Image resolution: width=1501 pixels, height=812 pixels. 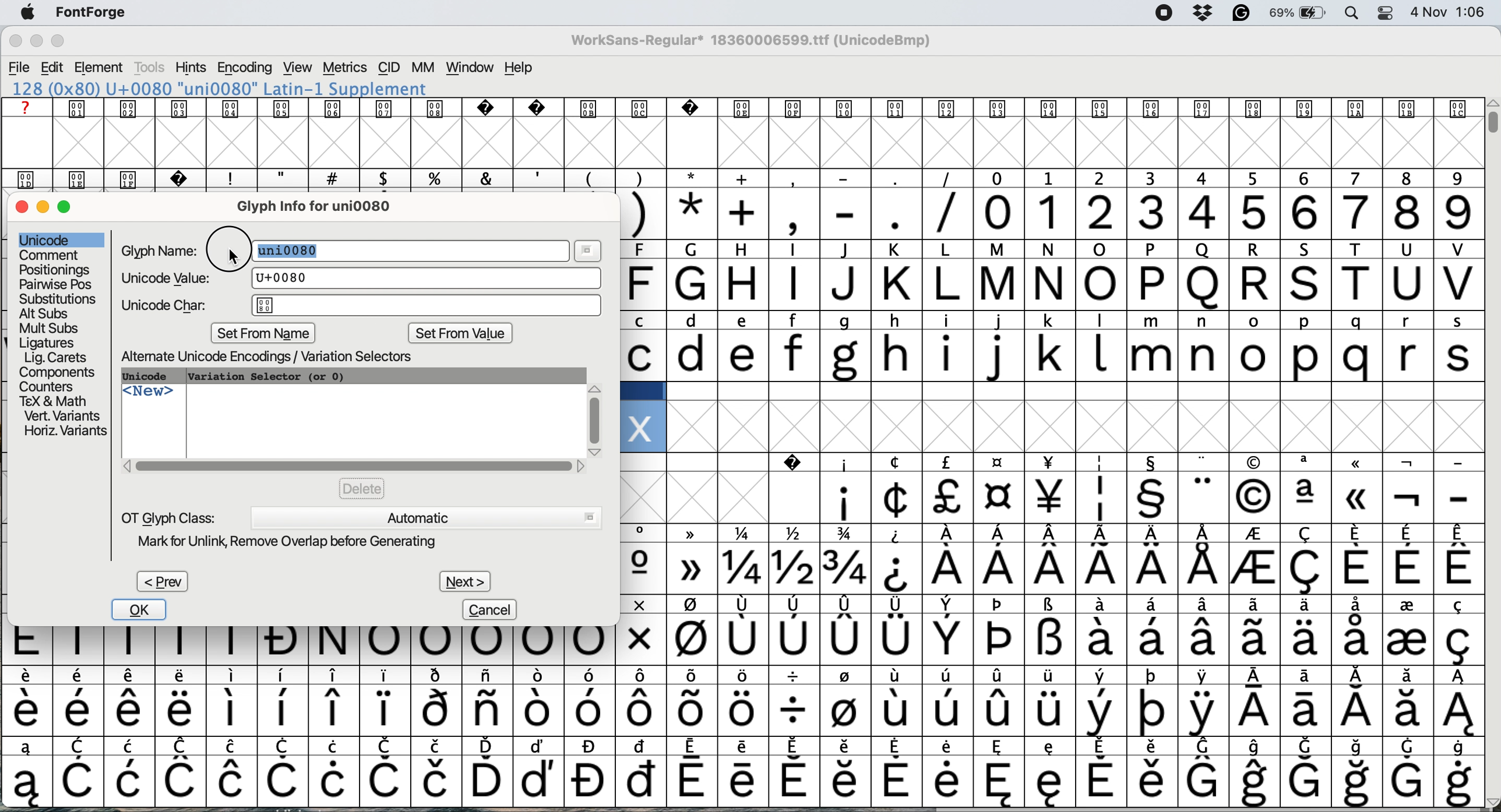 What do you see at coordinates (15, 43) in the screenshot?
I see `close` at bounding box center [15, 43].